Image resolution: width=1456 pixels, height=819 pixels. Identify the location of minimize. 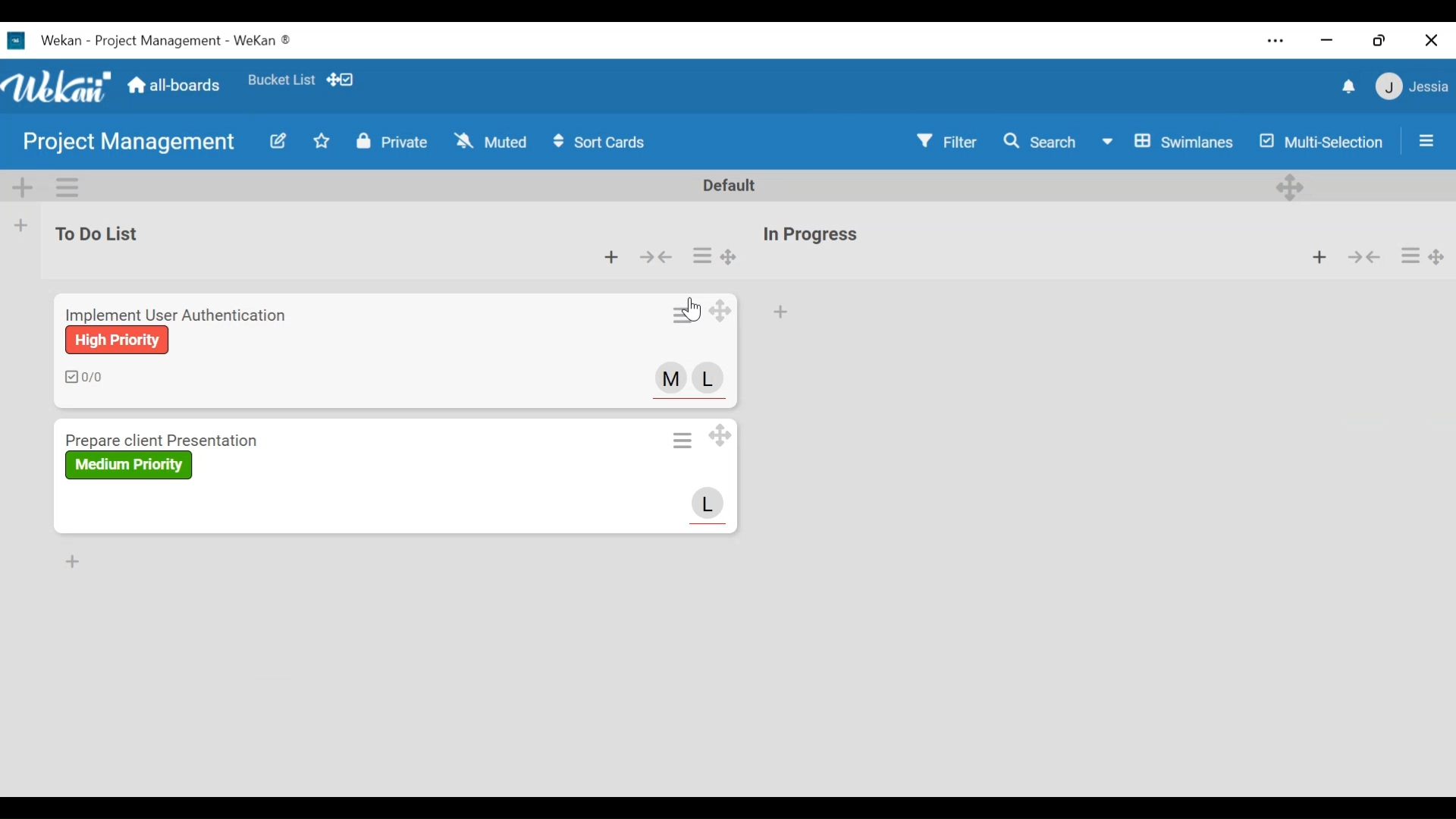
(1328, 40).